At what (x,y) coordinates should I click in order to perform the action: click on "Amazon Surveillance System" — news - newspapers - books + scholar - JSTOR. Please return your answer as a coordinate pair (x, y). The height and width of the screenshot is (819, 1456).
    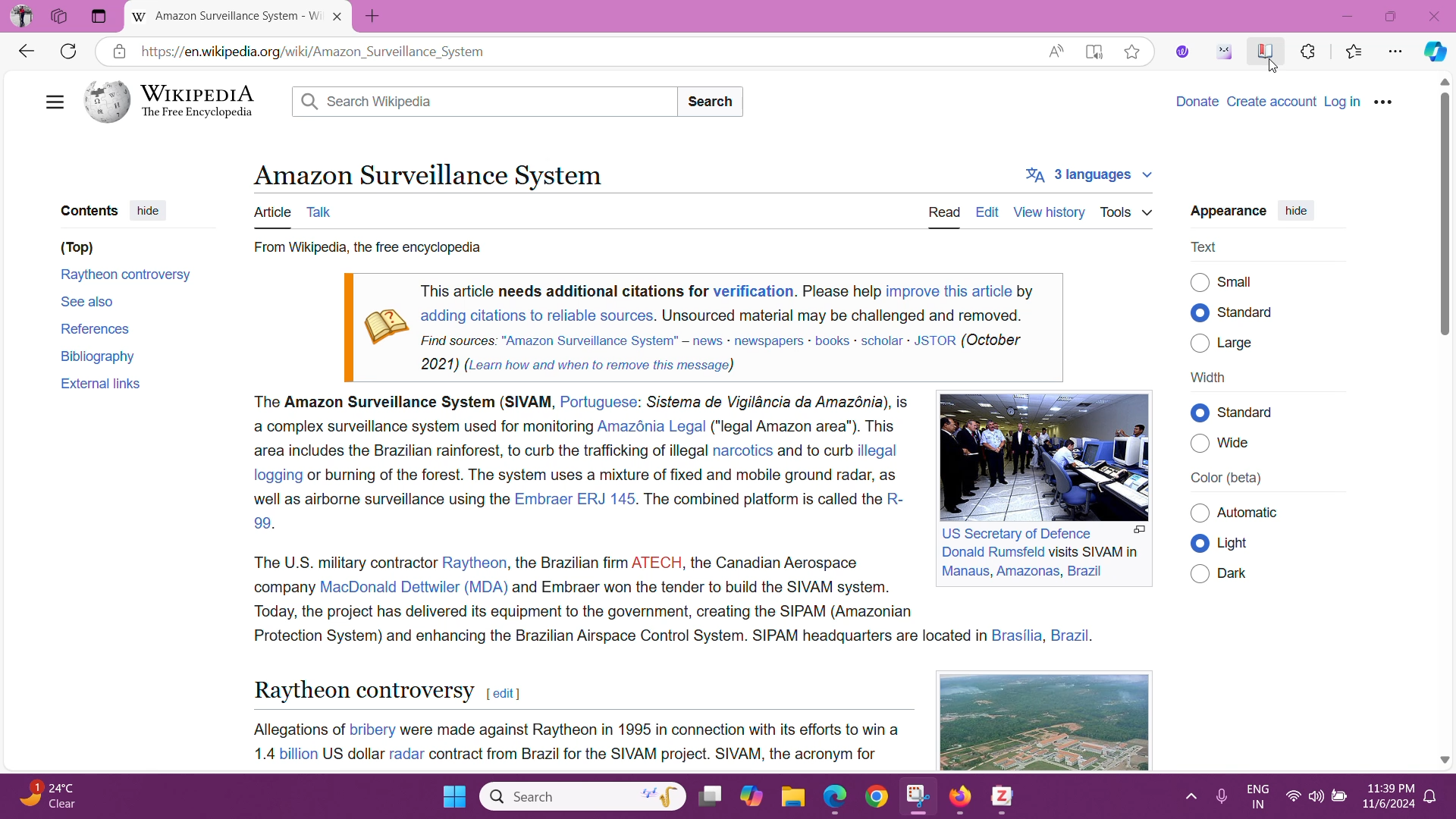
    Looking at the image, I should click on (728, 340).